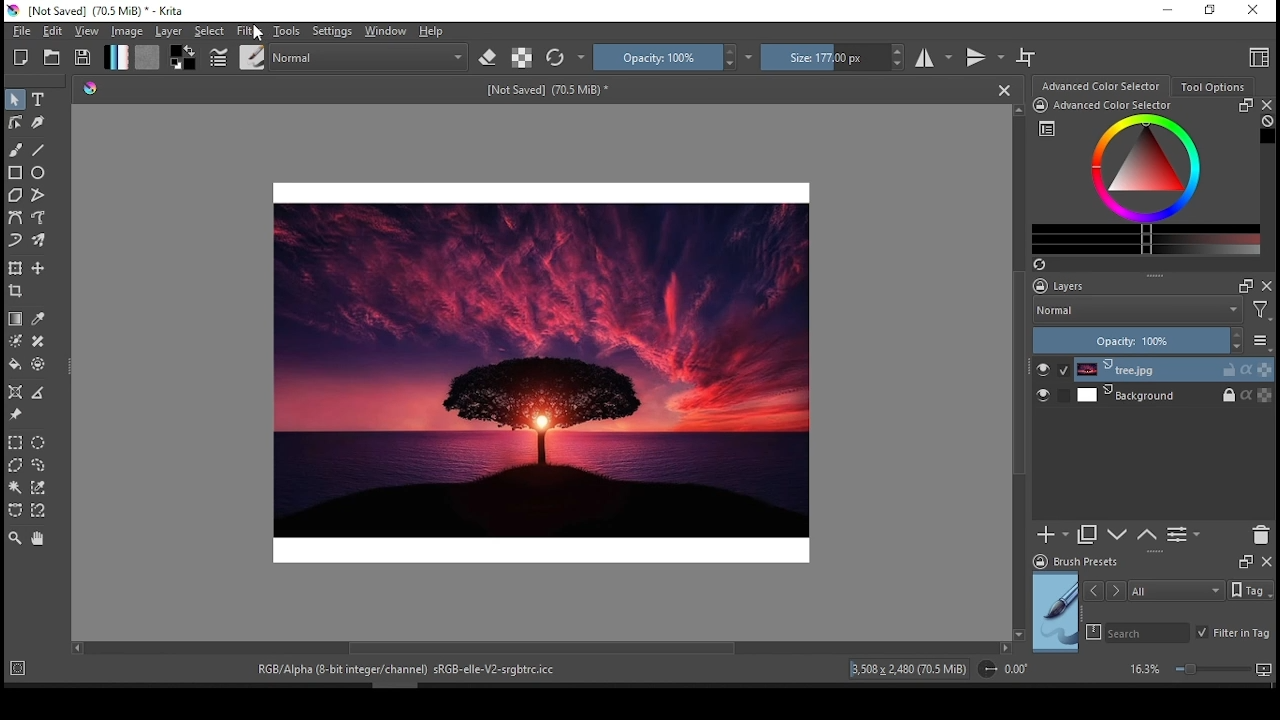 Image resolution: width=1280 pixels, height=720 pixels. What do you see at coordinates (40, 99) in the screenshot?
I see `text tool` at bounding box center [40, 99].